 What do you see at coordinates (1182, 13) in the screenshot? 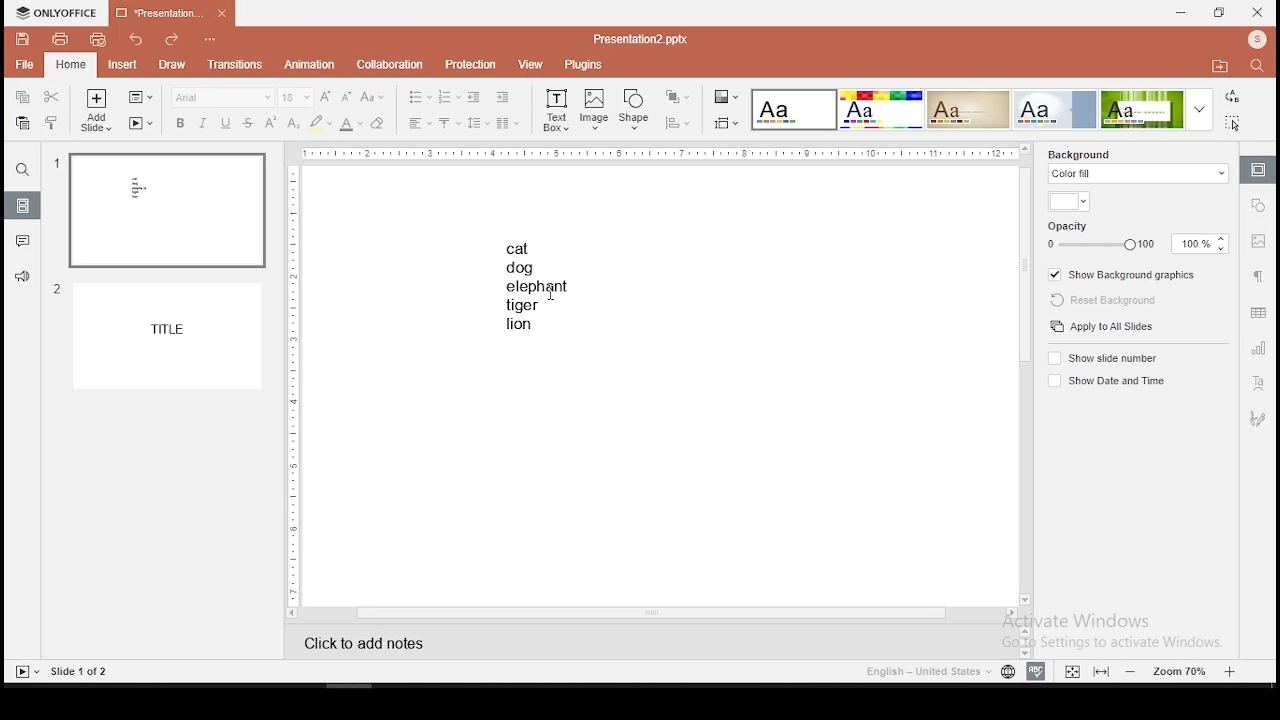
I see `minimize` at bounding box center [1182, 13].